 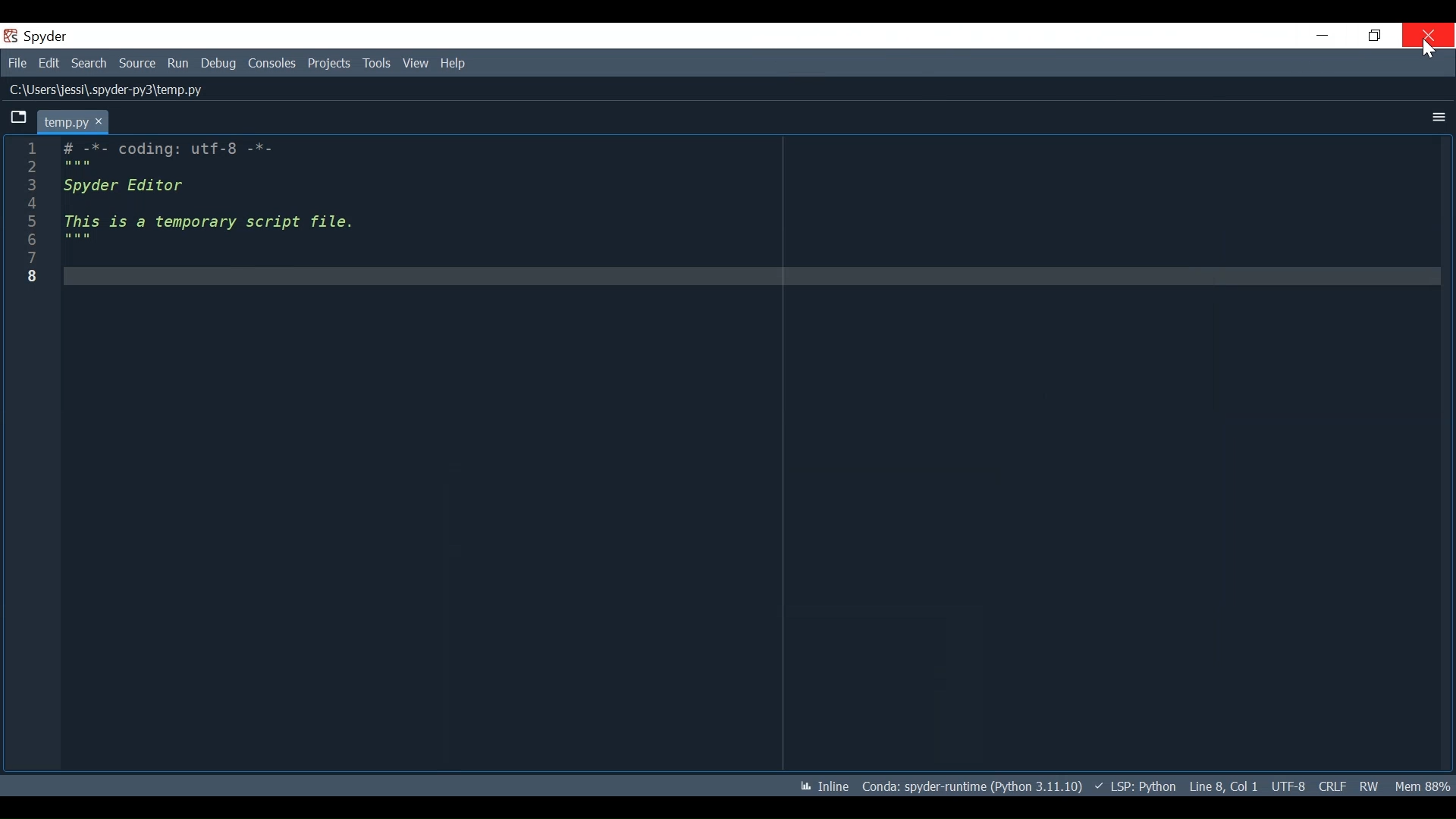 I want to click on C:\Users\jessi\.spyder-py3\temp.py, so click(x=106, y=89).